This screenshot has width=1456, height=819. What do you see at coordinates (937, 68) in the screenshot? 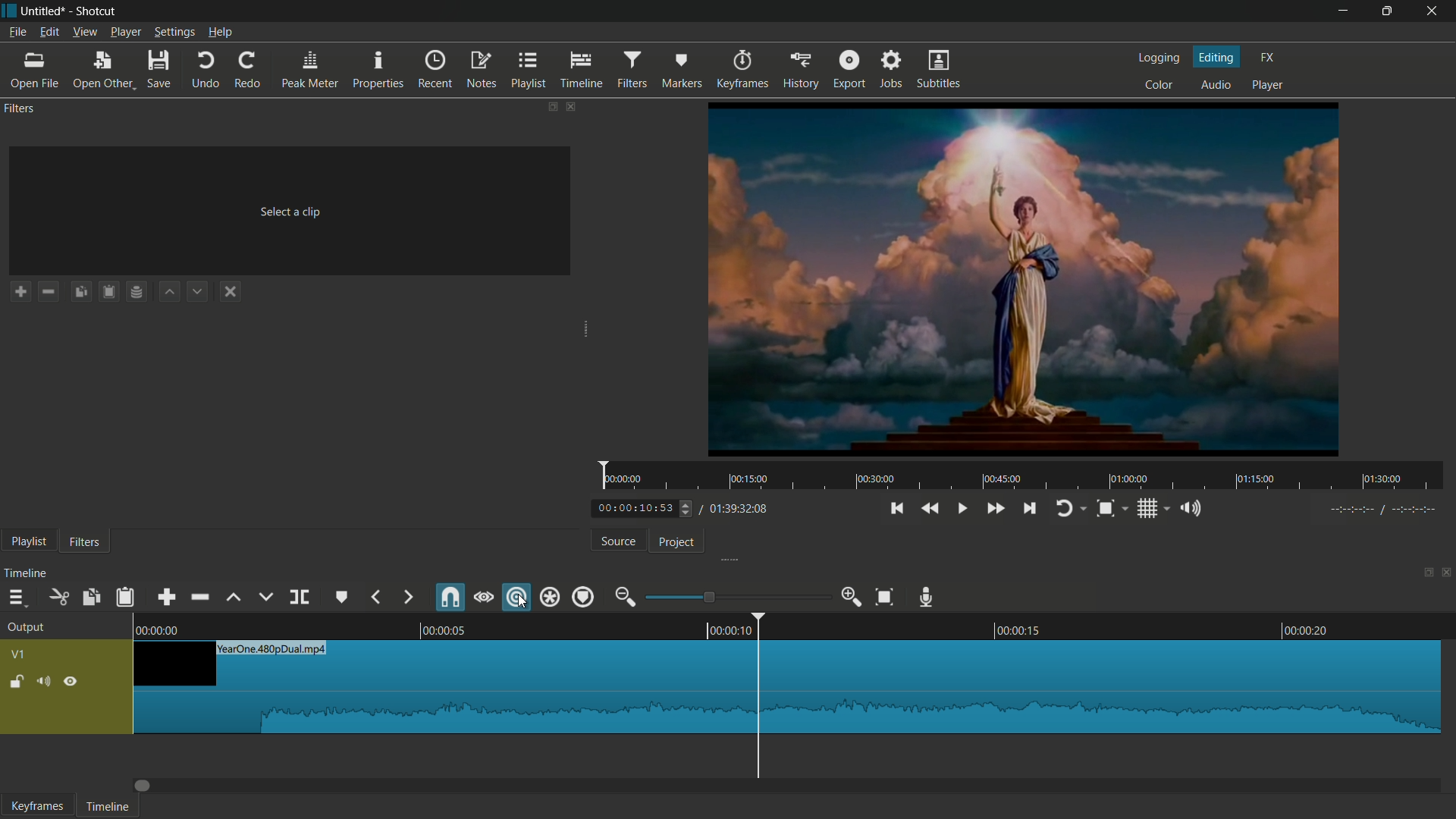
I see `subtitles` at bounding box center [937, 68].